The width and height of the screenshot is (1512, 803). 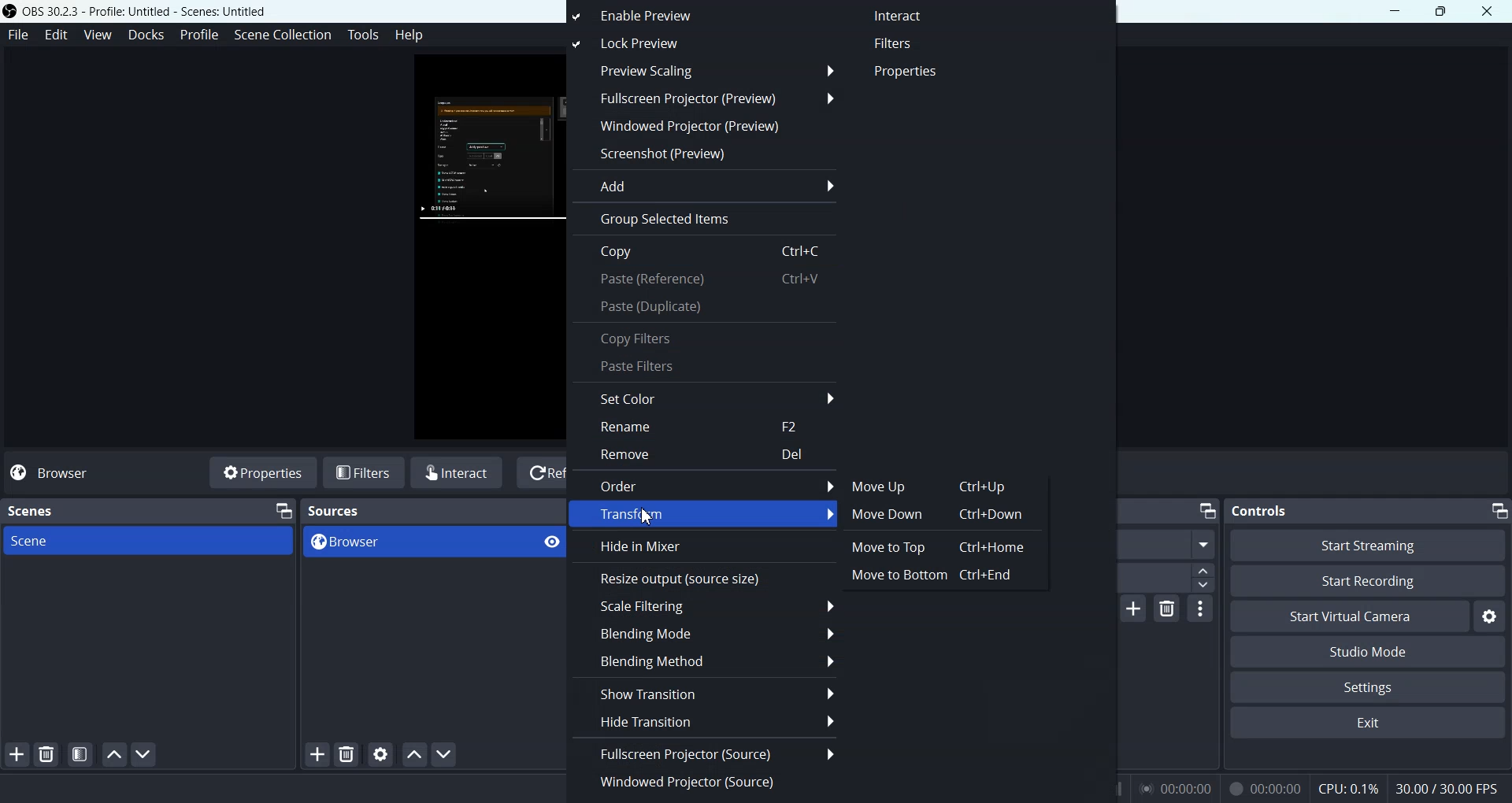 What do you see at coordinates (1350, 616) in the screenshot?
I see `Start Virtual Camera` at bounding box center [1350, 616].